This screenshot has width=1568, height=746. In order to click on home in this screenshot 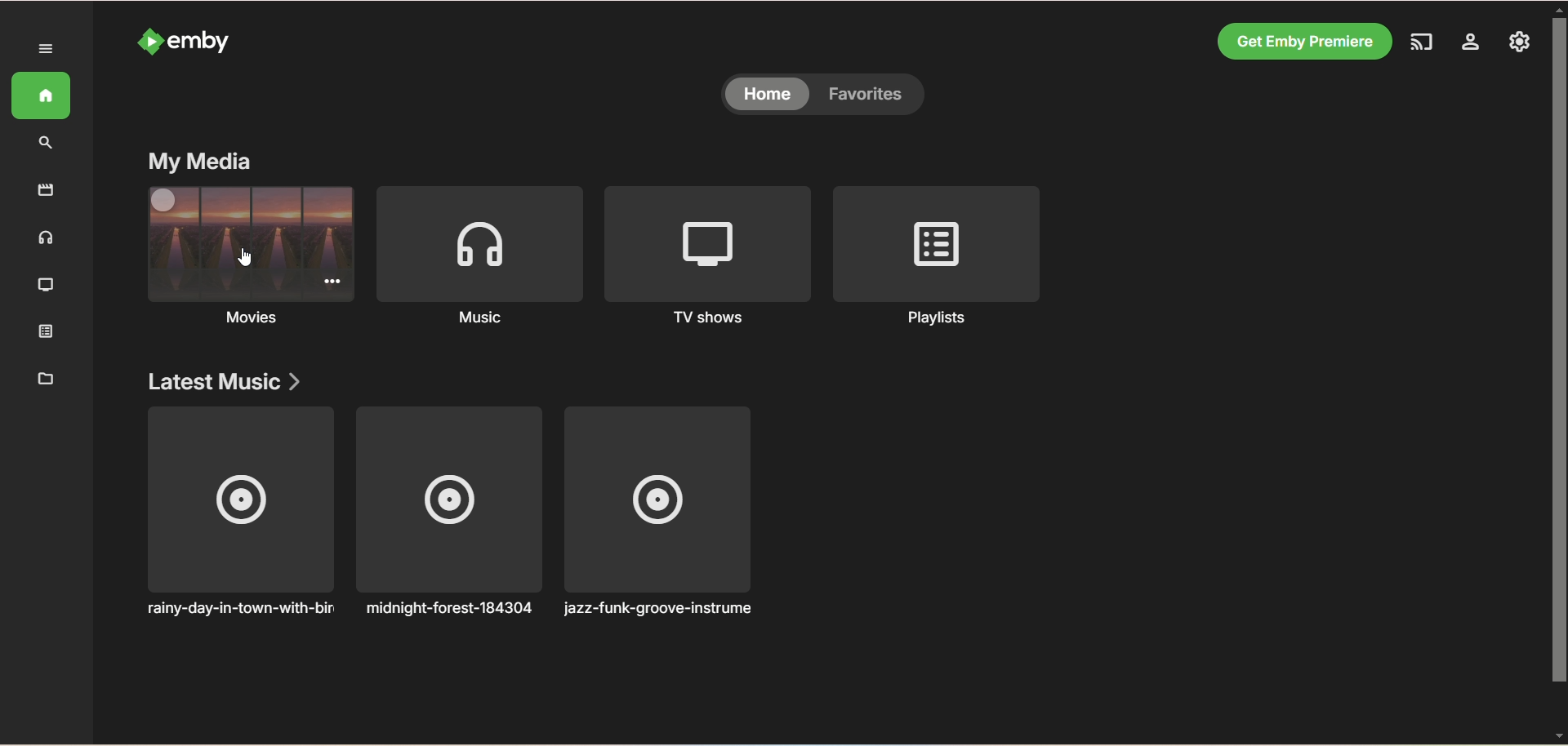, I will do `click(42, 97)`.